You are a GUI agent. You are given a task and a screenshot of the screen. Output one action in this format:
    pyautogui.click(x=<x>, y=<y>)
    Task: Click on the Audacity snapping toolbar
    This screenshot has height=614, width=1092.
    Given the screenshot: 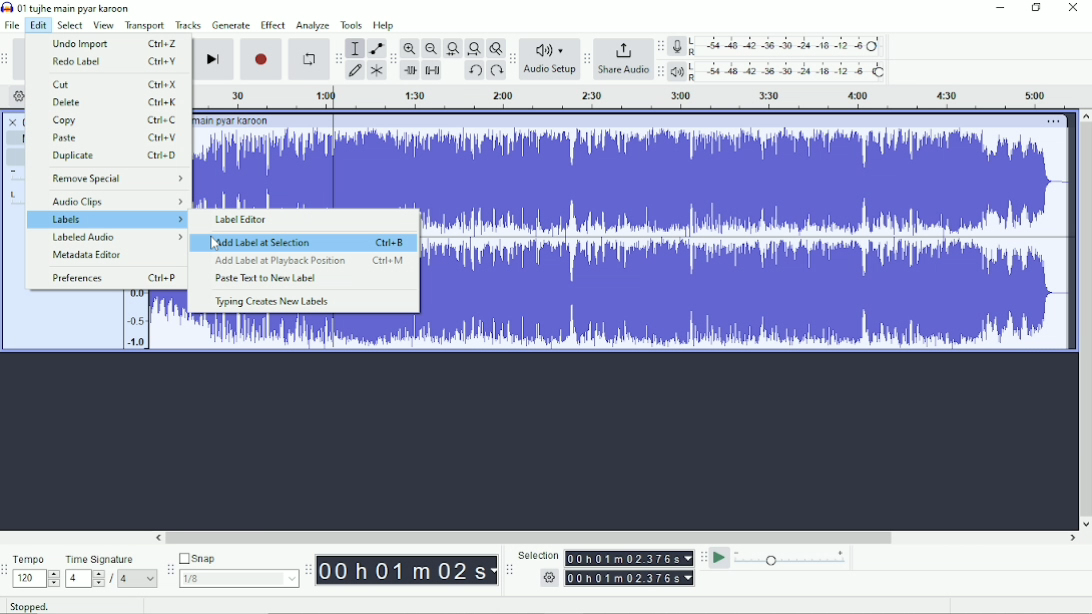 What is the action you would take?
    pyautogui.click(x=169, y=569)
    